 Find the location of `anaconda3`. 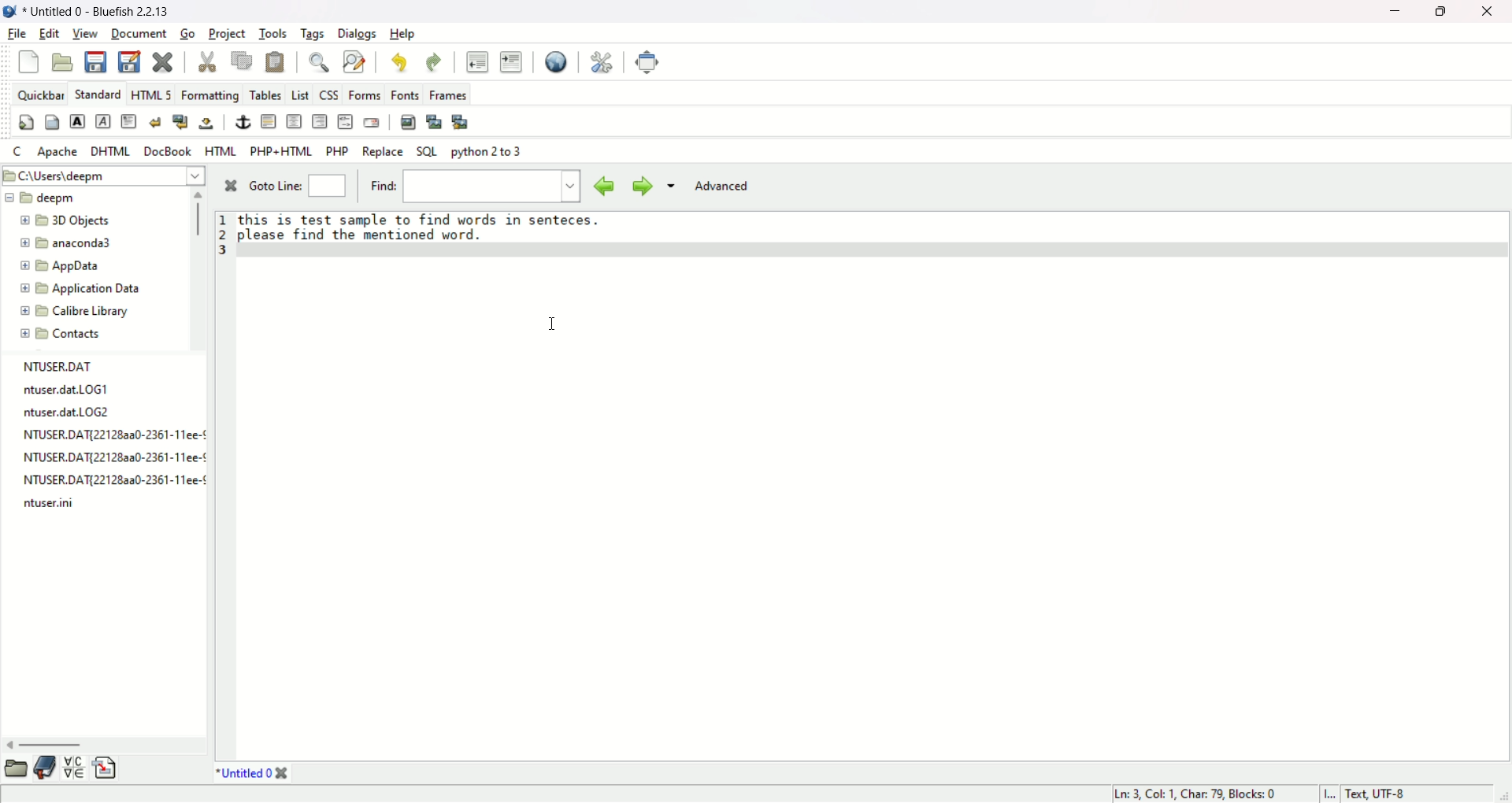

anaconda3 is located at coordinates (70, 242).